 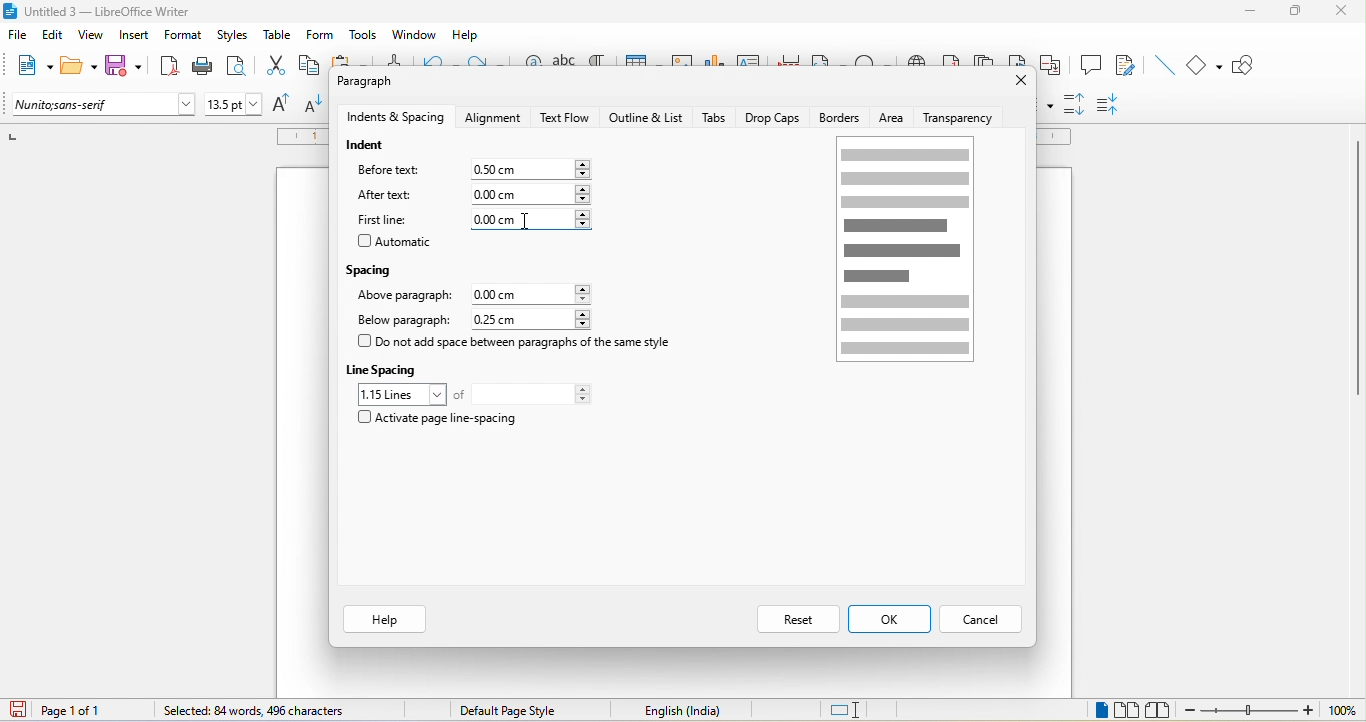 What do you see at coordinates (906, 250) in the screenshot?
I see `page` at bounding box center [906, 250].